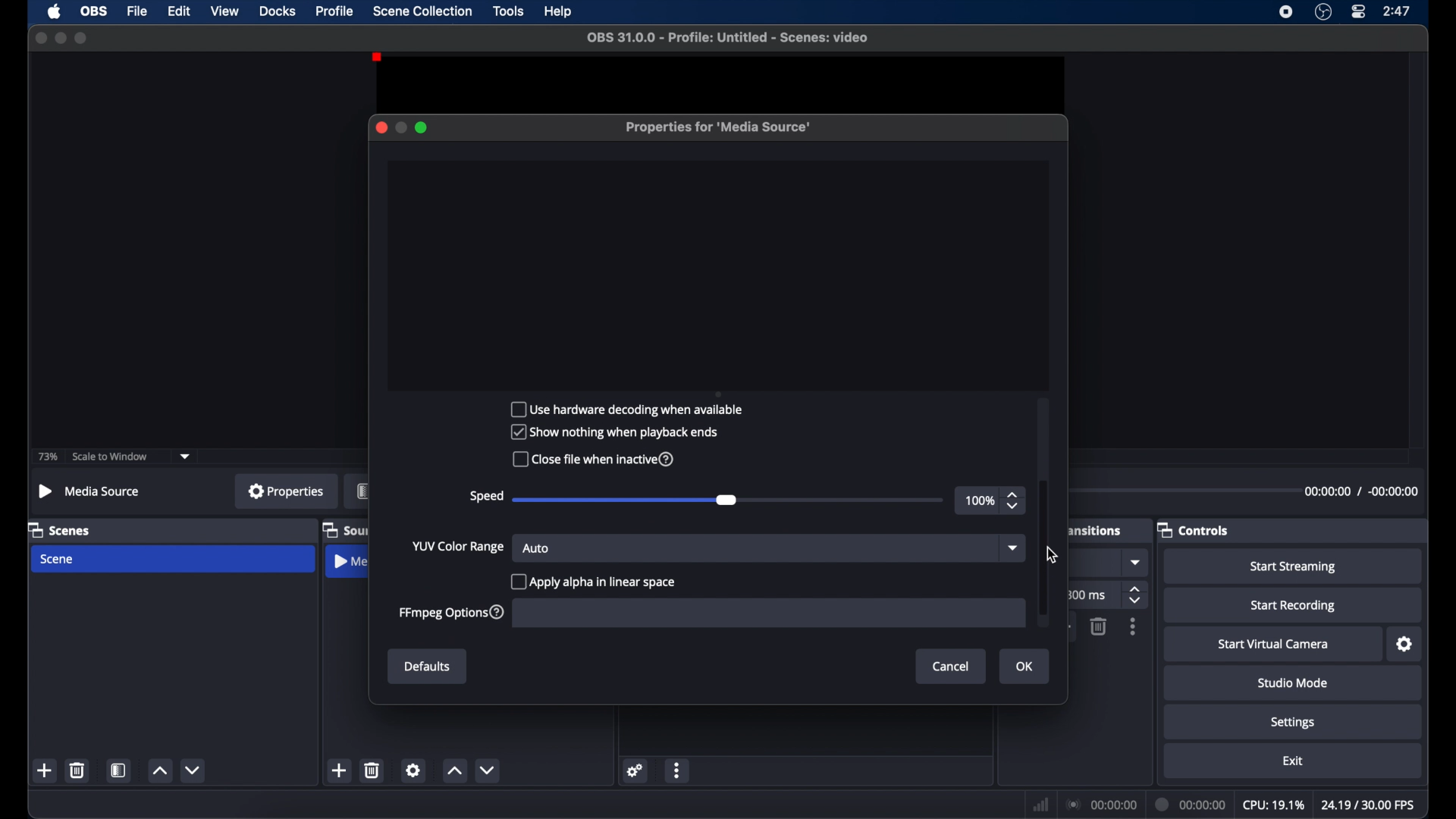  Describe the element at coordinates (487, 770) in the screenshot. I see `decrement button` at that location.